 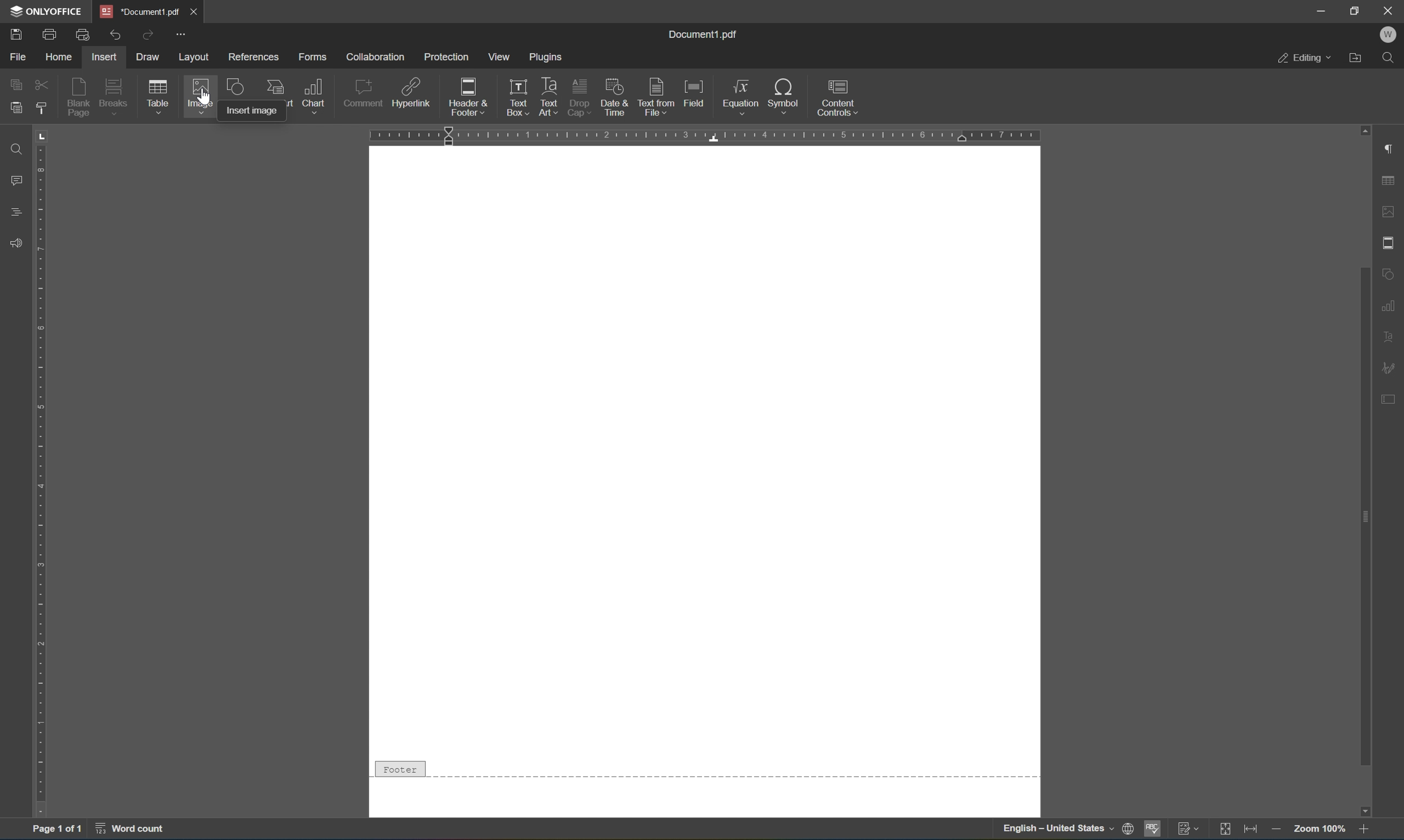 What do you see at coordinates (447, 58) in the screenshot?
I see `protection` at bounding box center [447, 58].